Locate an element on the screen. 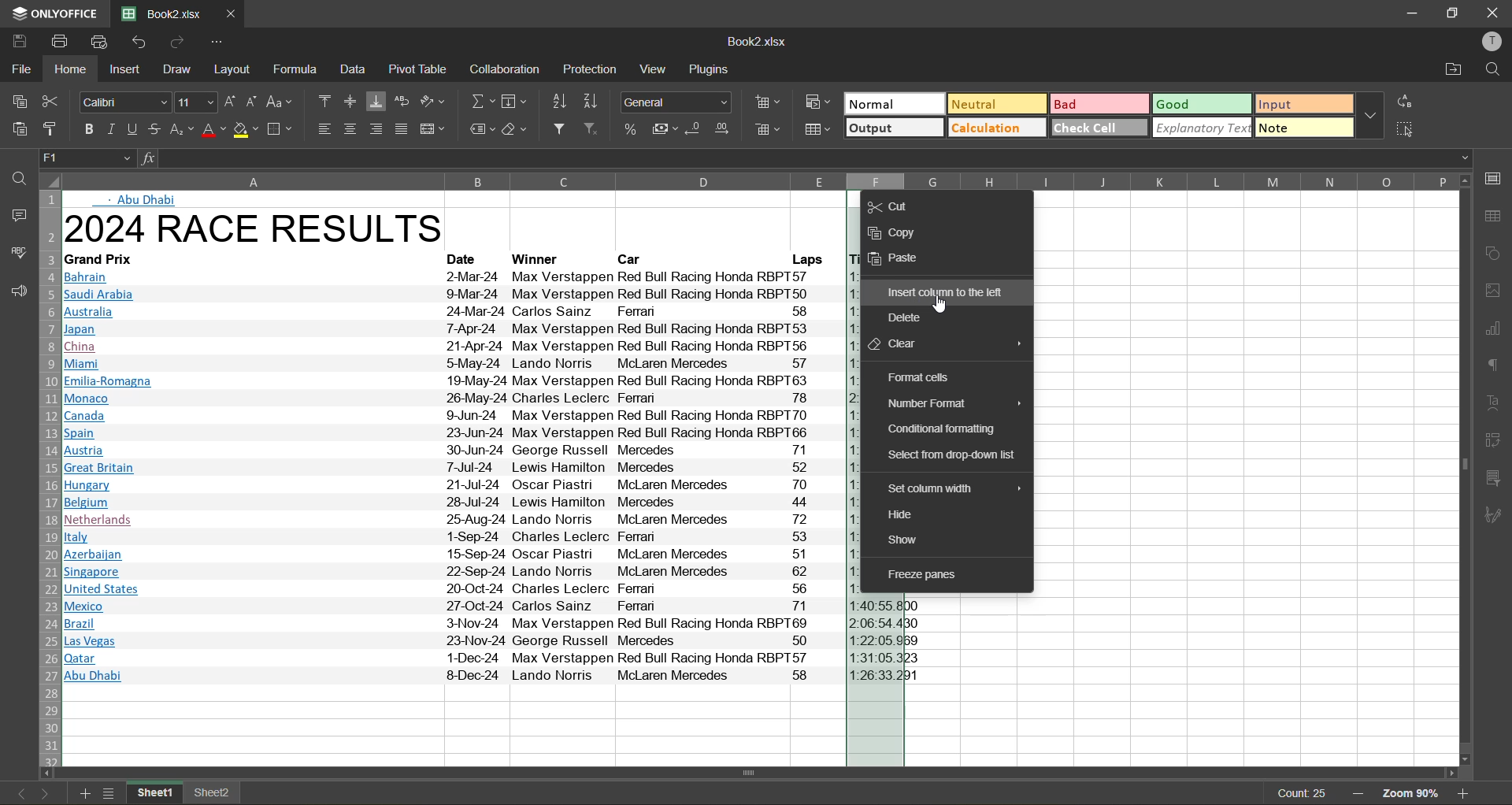 The width and height of the screenshot is (1512, 805). customize quick access toolbar is located at coordinates (220, 42).